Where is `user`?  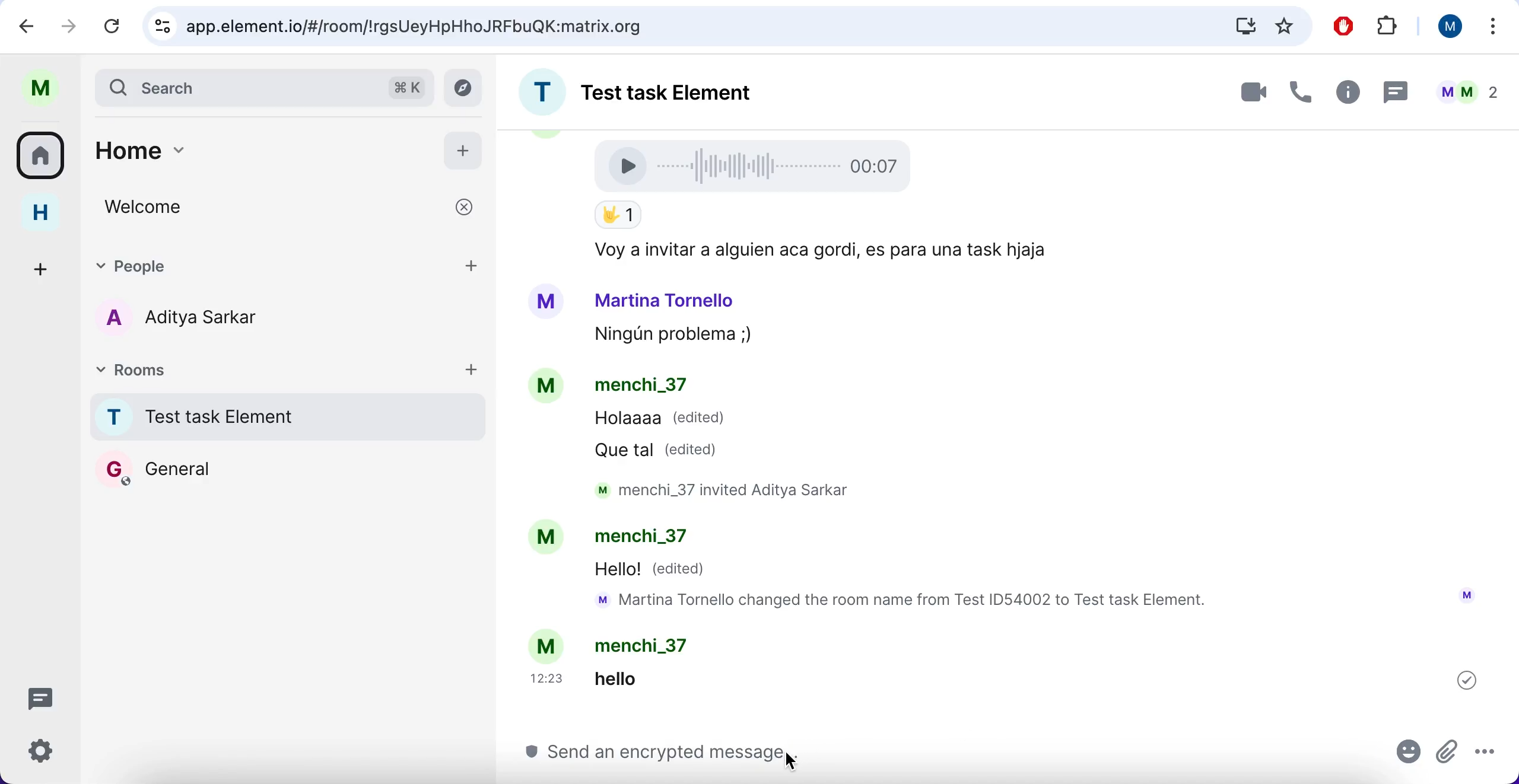
user is located at coordinates (46, 88).